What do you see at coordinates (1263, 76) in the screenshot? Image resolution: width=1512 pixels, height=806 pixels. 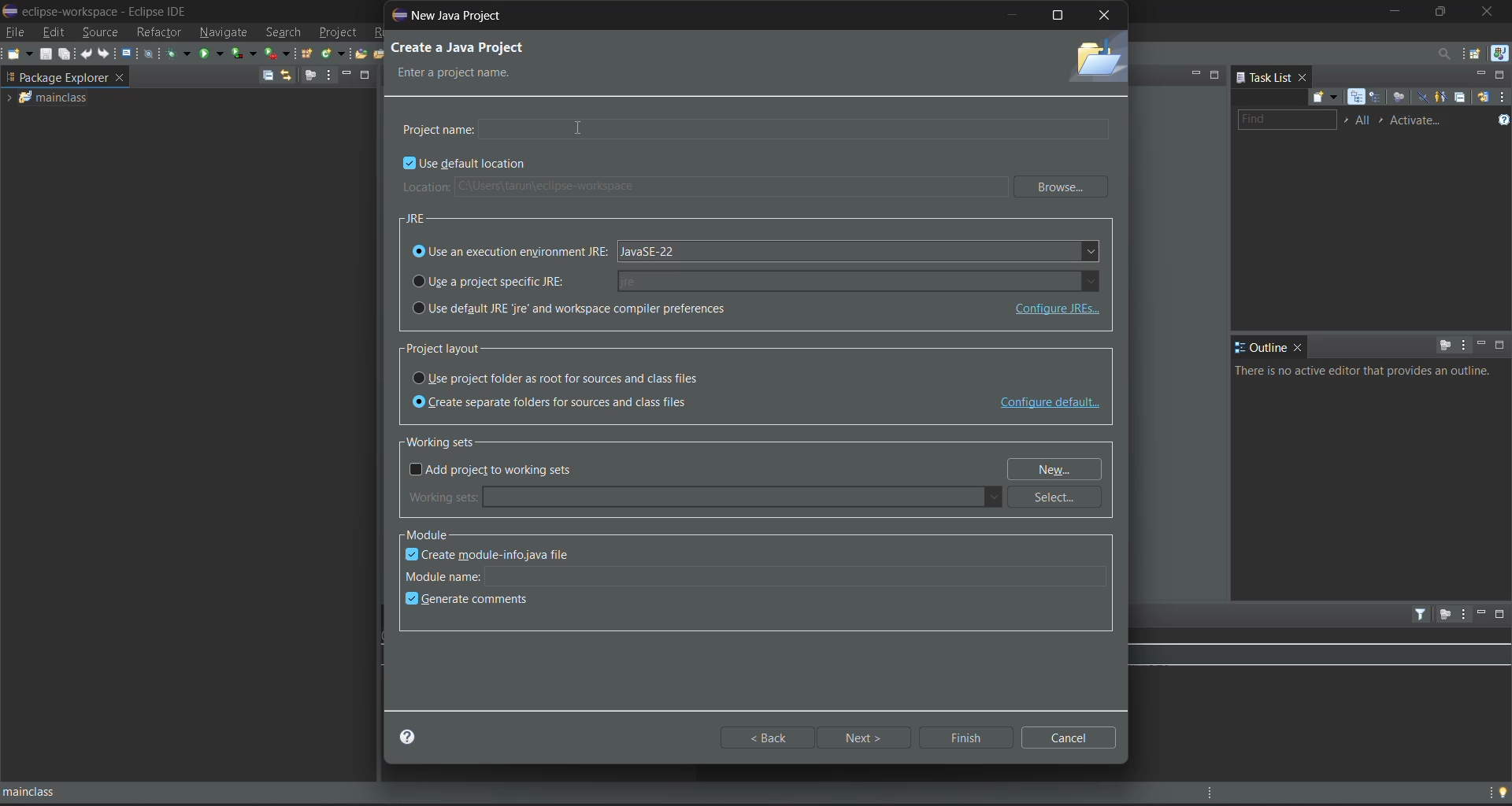 I see `task list` at bounding box center [1263, 76].